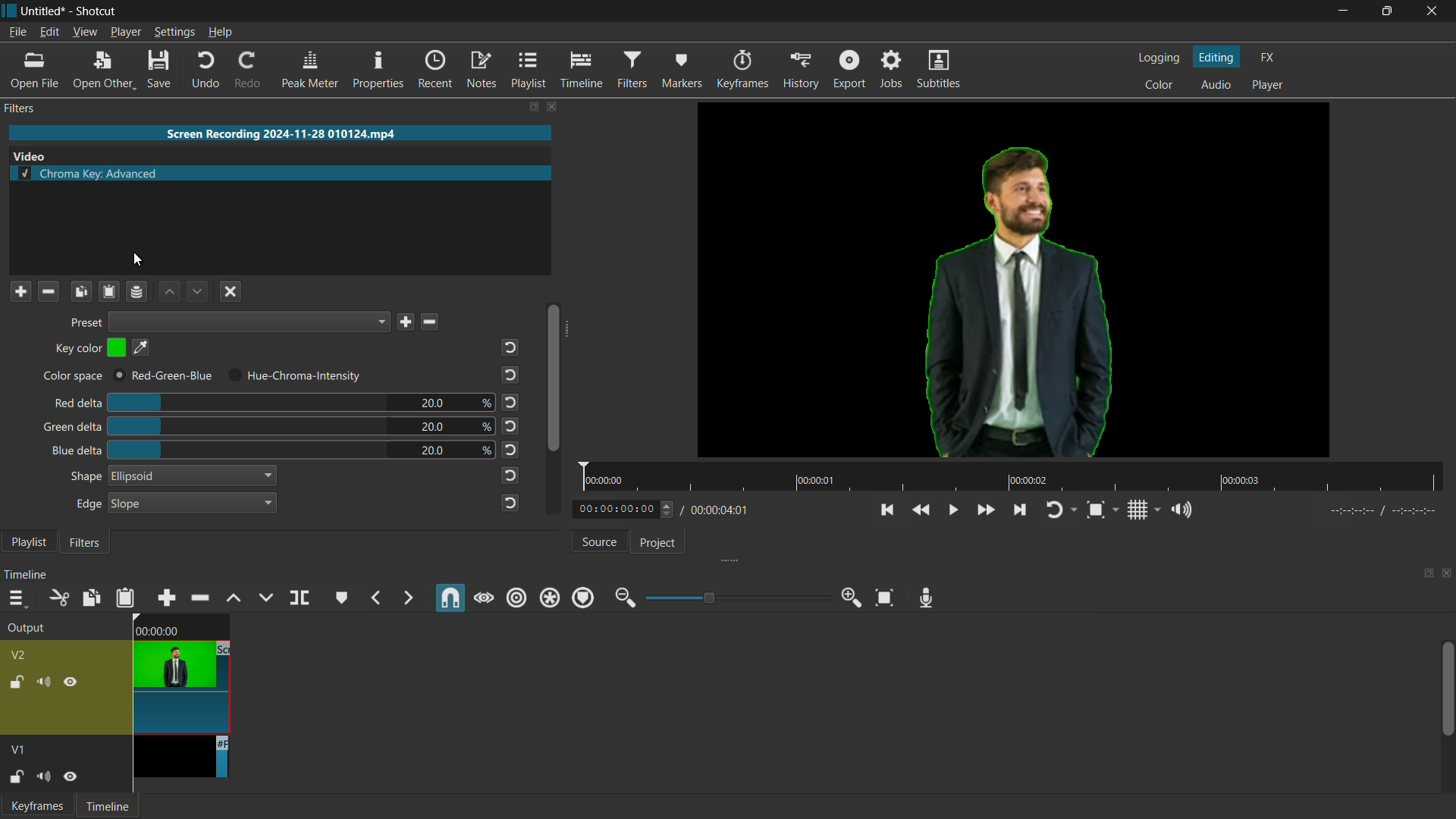  Describe the element at coordinates (1012, 476) in the screenshot. I see `time span` at that location.